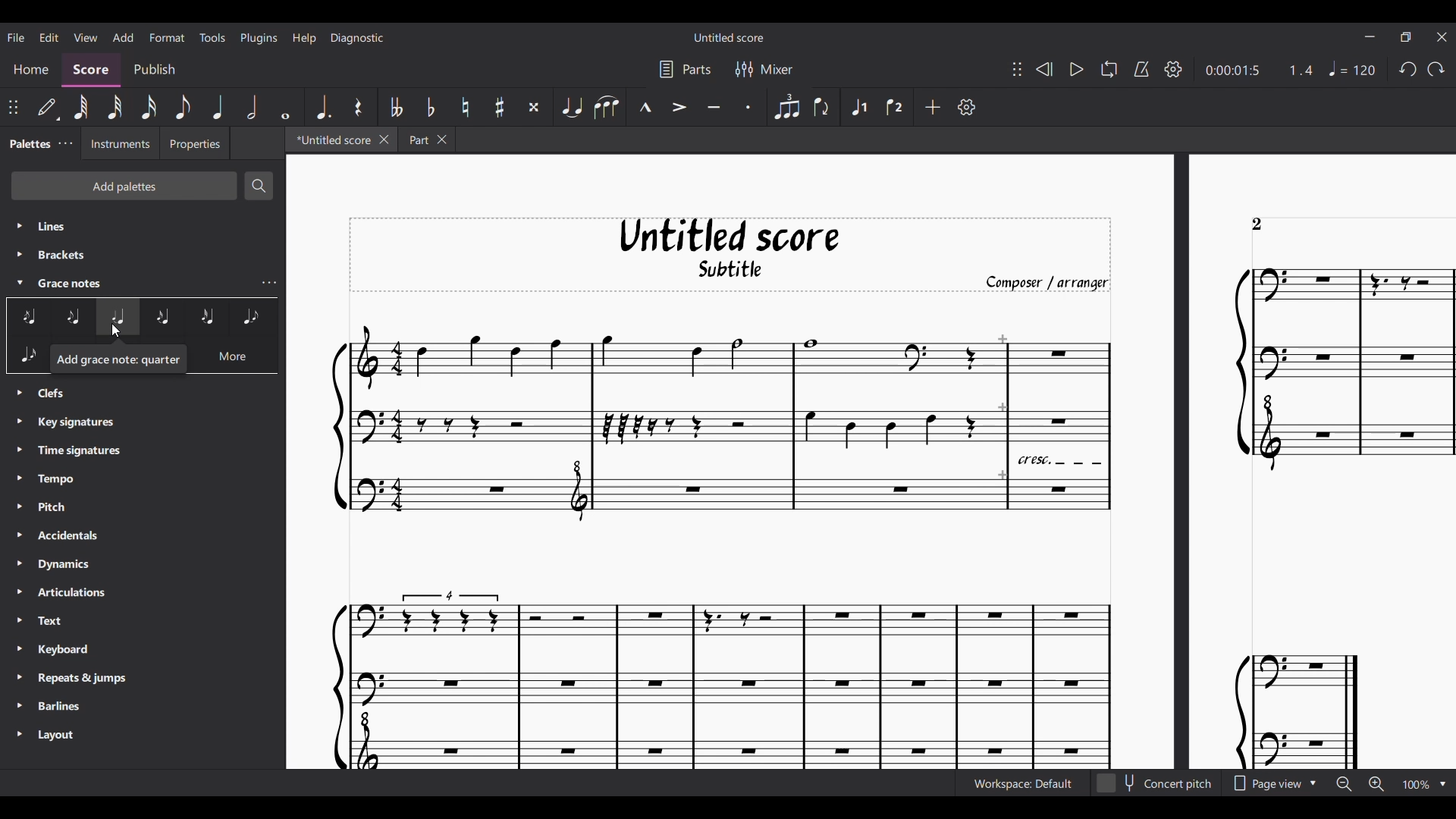 The width and height of the screenshot is (1456, 819). What do you see at coordinates (730, 255) in the screenshot?
I see `Score title, sub-title, and composer name` at bounding box center [730, 255].